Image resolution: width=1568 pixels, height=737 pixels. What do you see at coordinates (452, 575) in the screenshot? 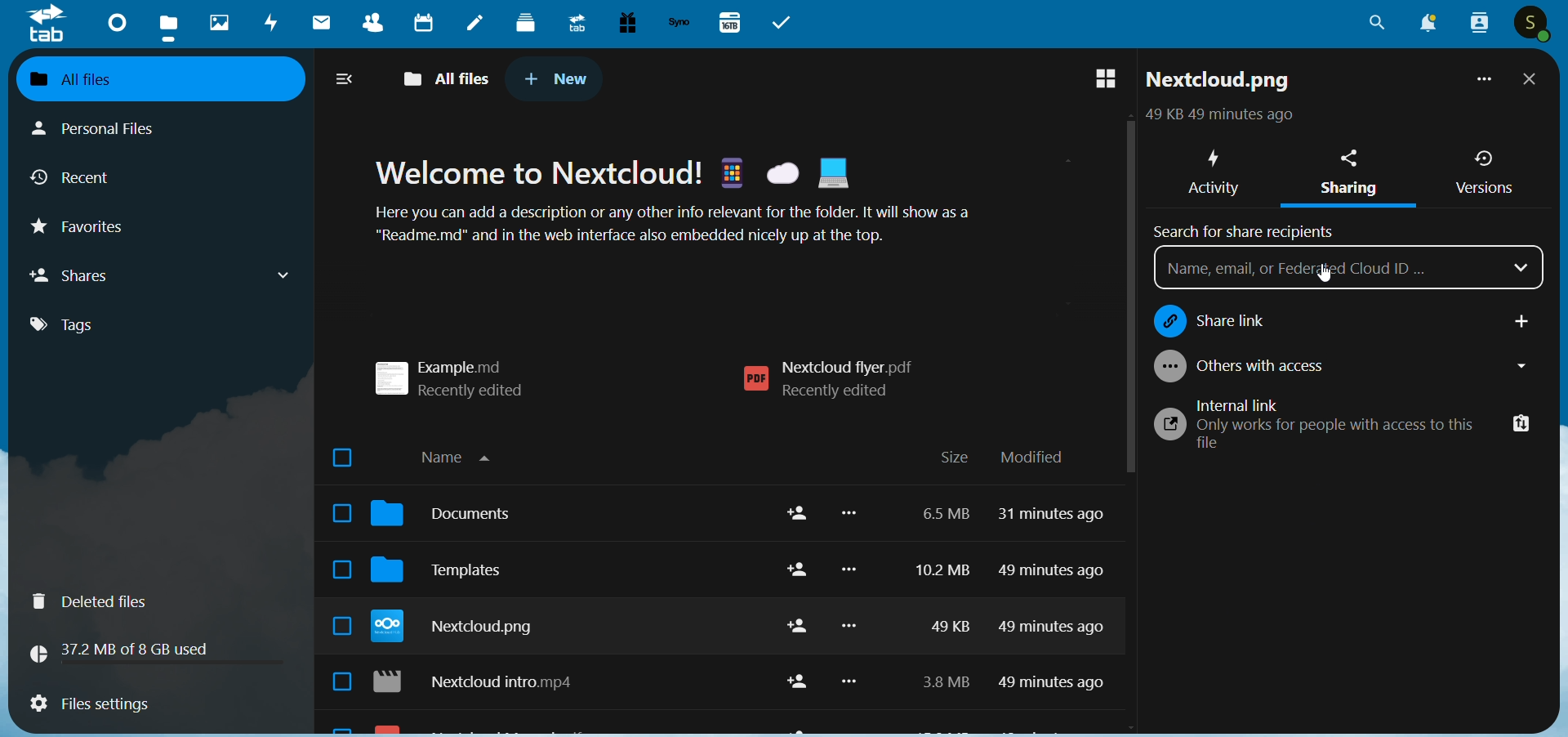
I see `templates` at bounding box center [452, 575].